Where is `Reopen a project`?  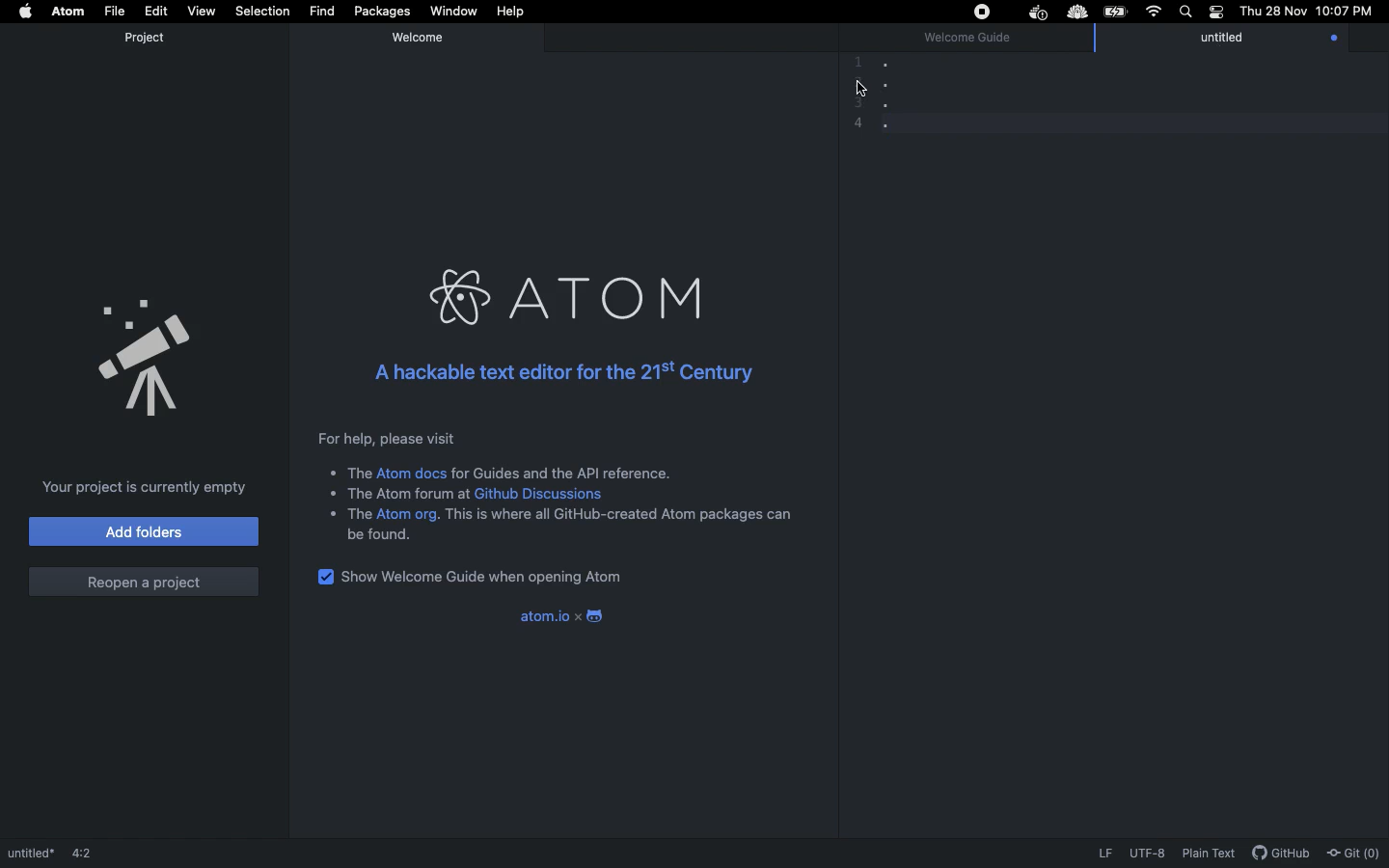 Reopen a project is located at coordinates (143, 578).